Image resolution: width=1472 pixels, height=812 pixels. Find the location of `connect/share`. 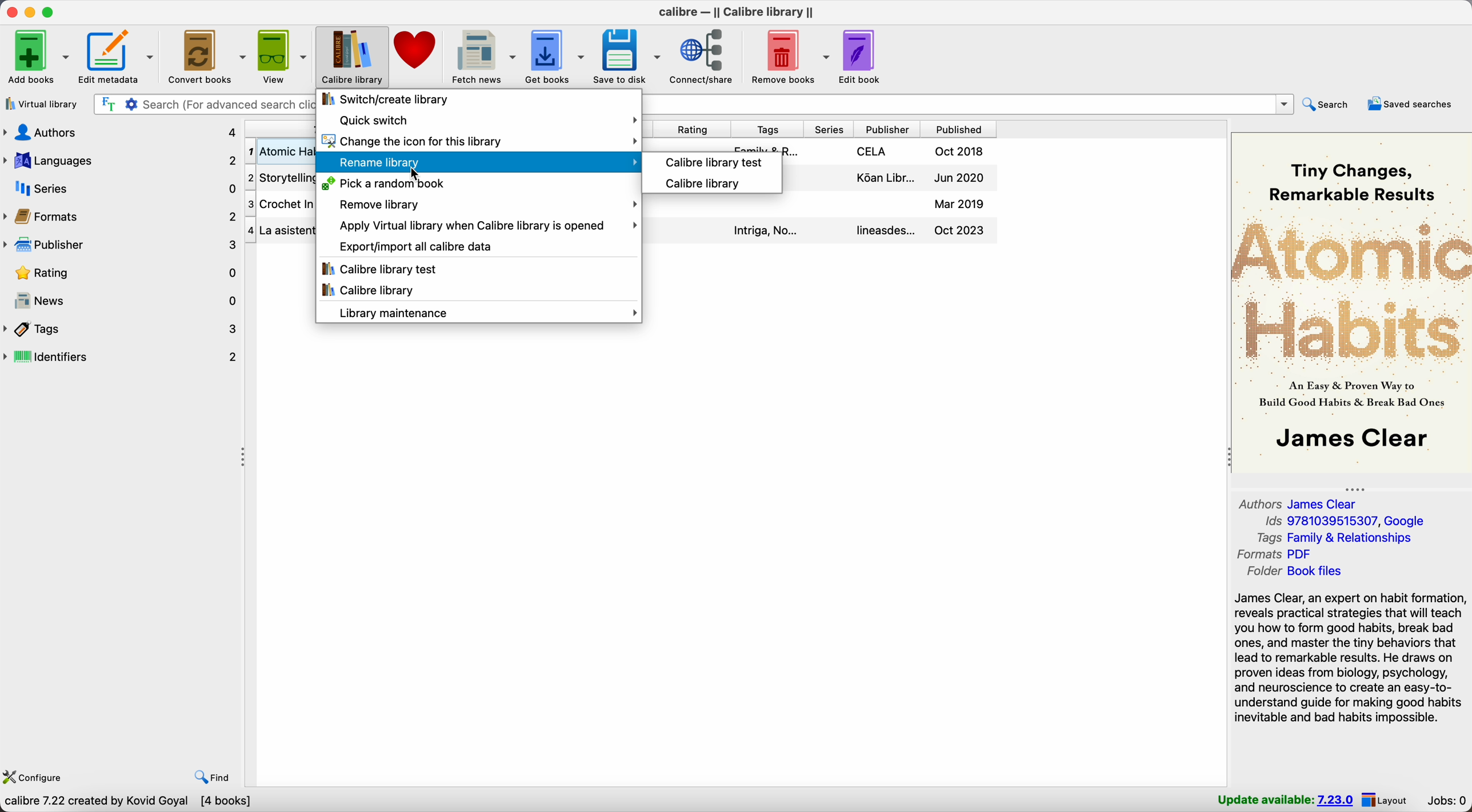

connect/share is located at coordinates (706, 57).